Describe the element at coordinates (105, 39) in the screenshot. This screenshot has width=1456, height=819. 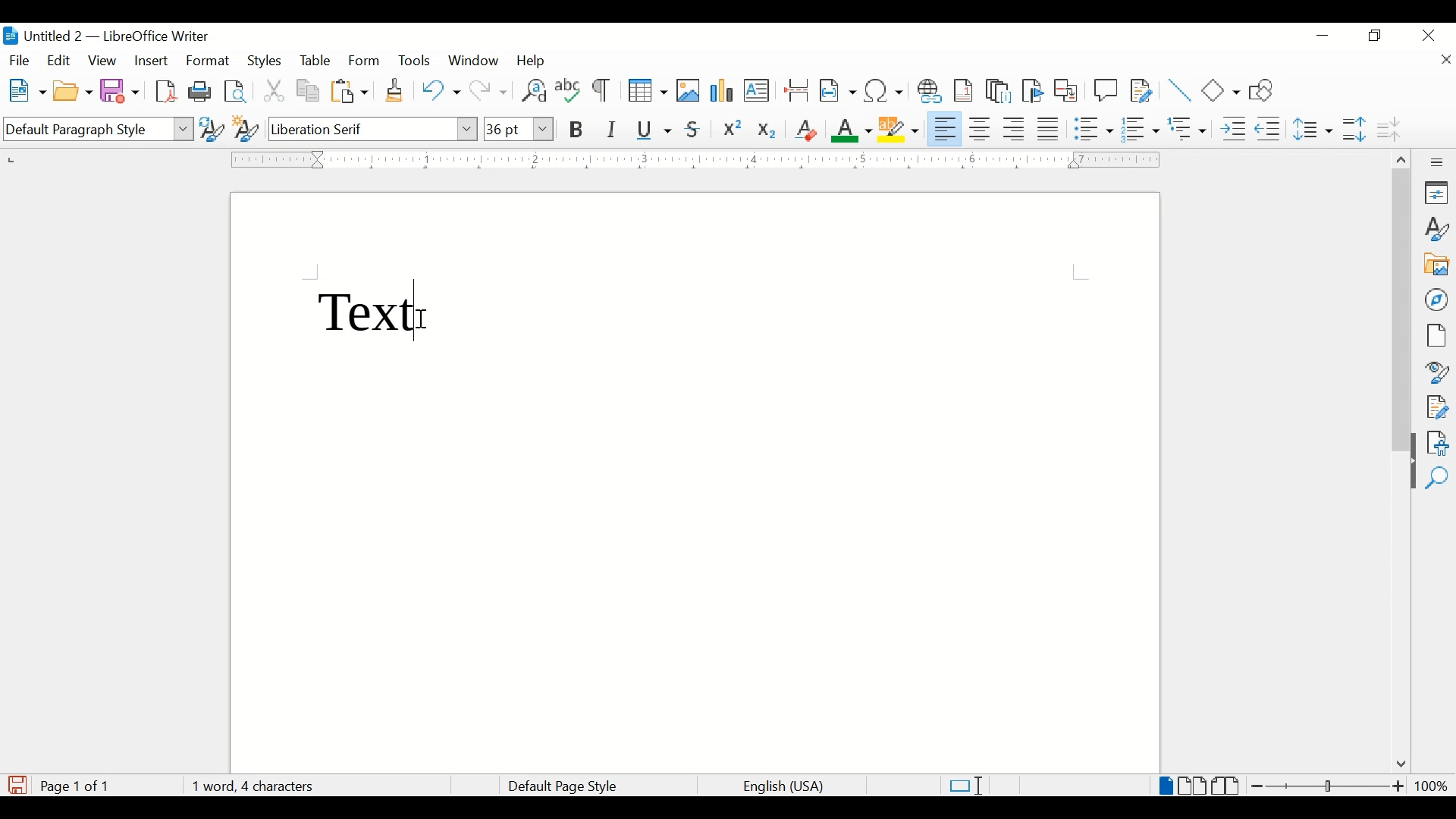
I see `untitled 2 - libreOffice Writer` at that location.